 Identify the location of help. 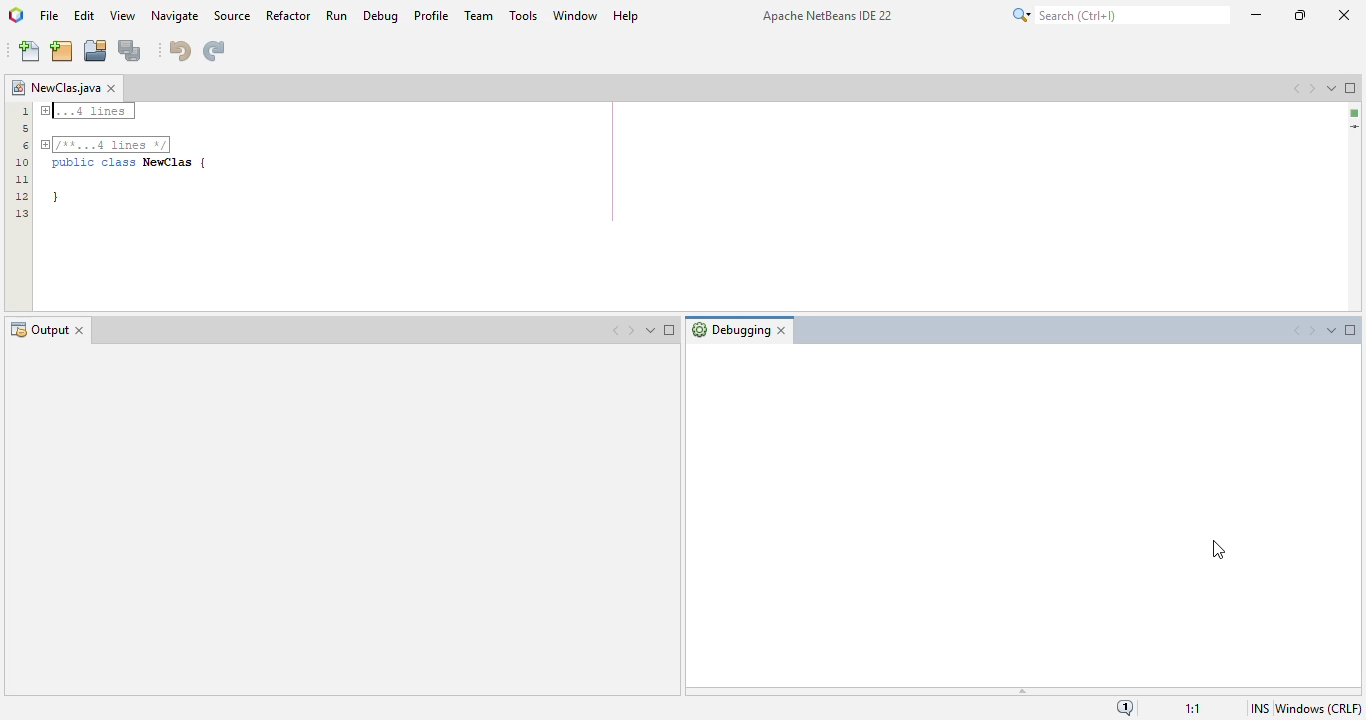
(626, 14).